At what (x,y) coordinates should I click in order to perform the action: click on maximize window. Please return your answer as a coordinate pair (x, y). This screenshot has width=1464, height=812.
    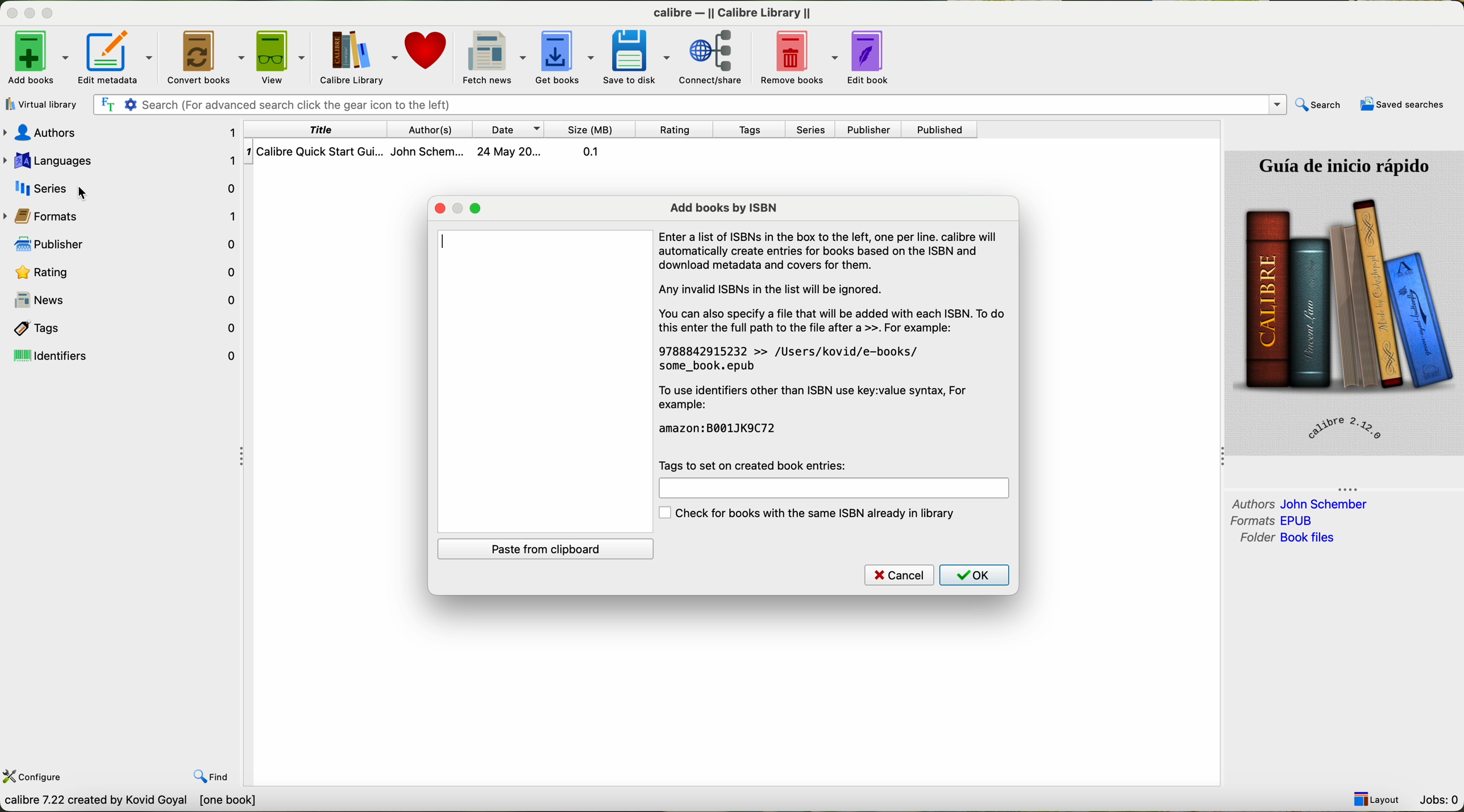
    Looking at the image, I should click on (477, 210).